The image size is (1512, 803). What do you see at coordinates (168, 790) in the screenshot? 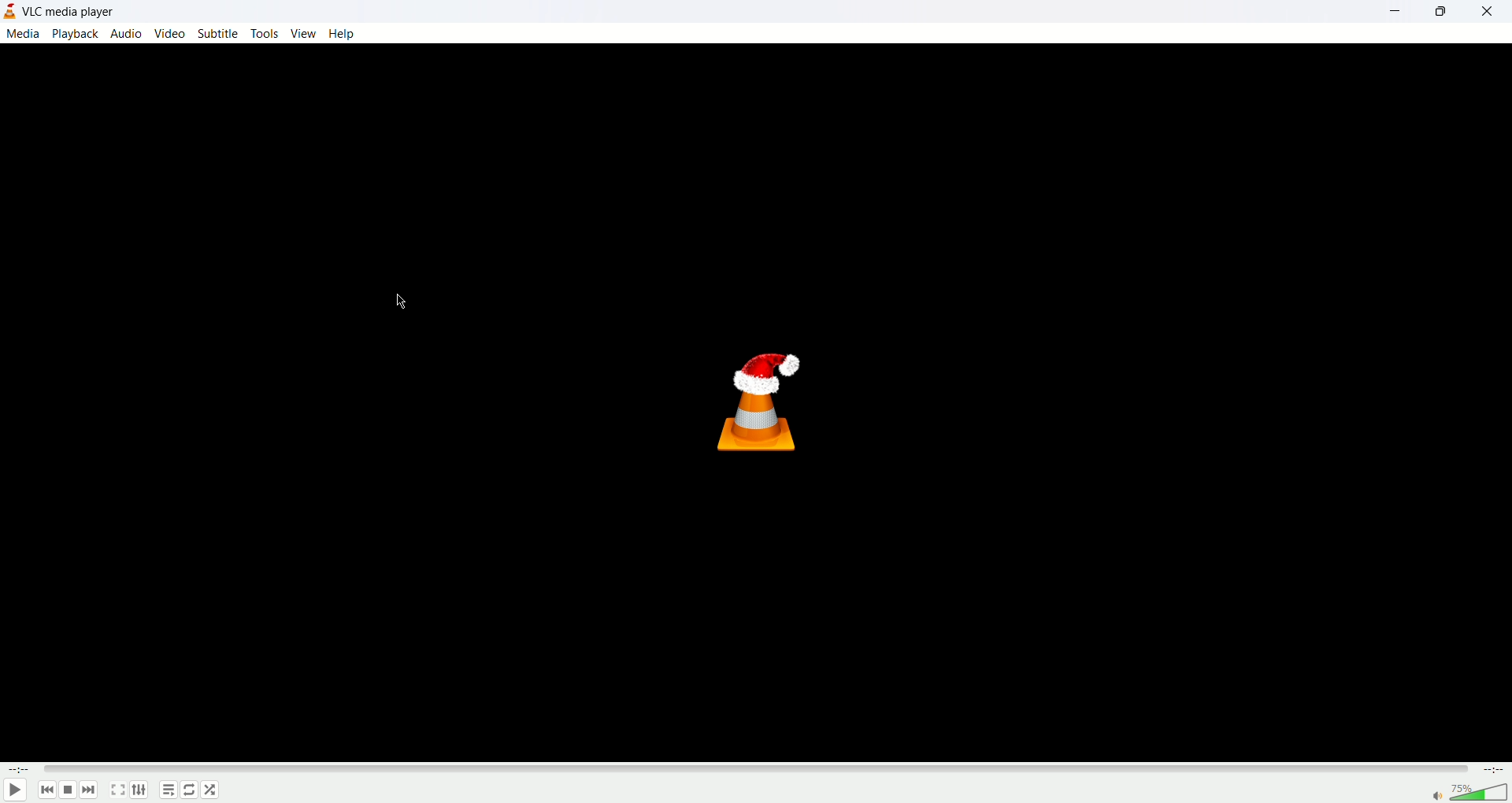
I see `playlist` at bounding box center [168, 790].